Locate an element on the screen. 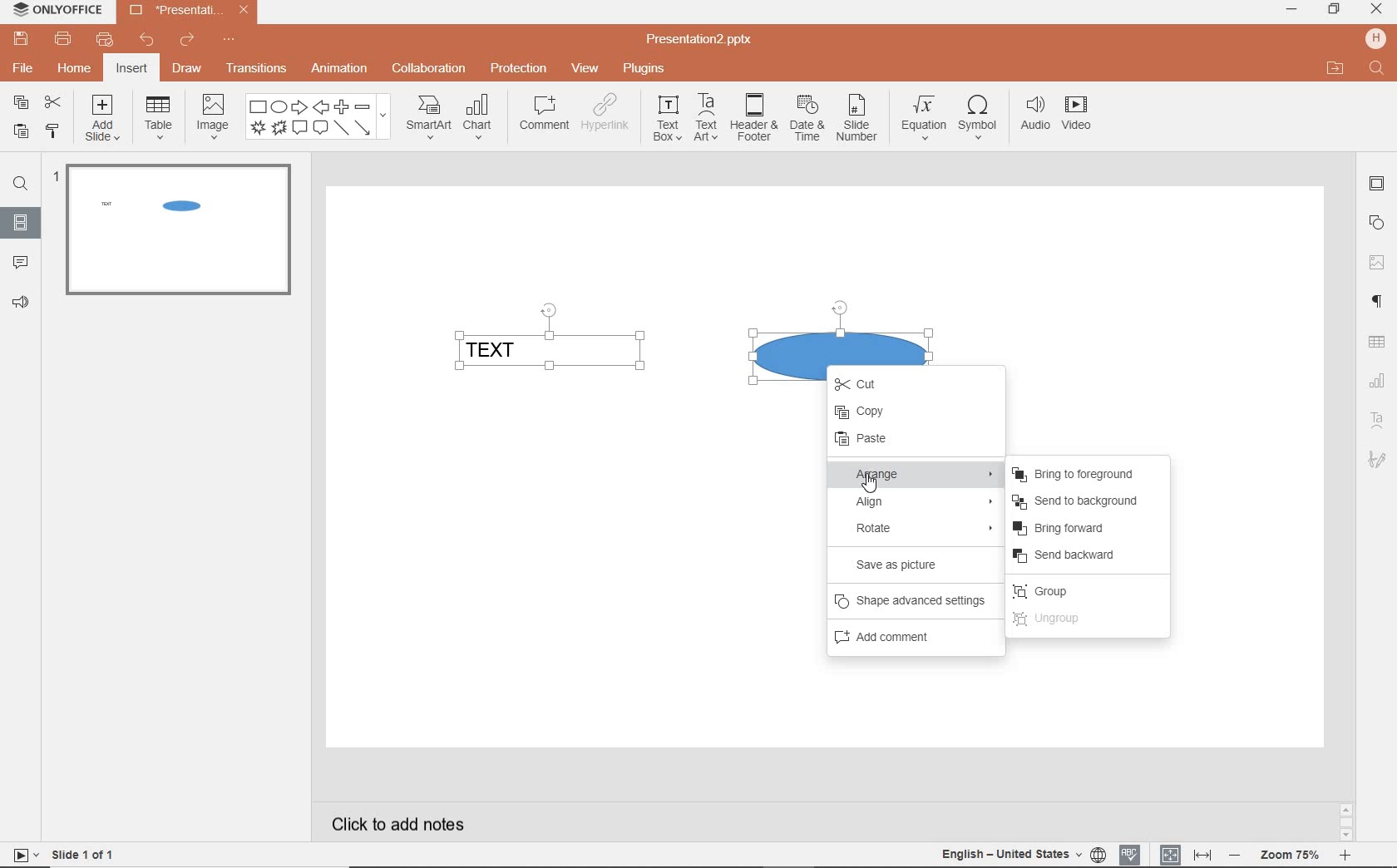  SPELL CHECKING is located at coordinates (1132, 854).